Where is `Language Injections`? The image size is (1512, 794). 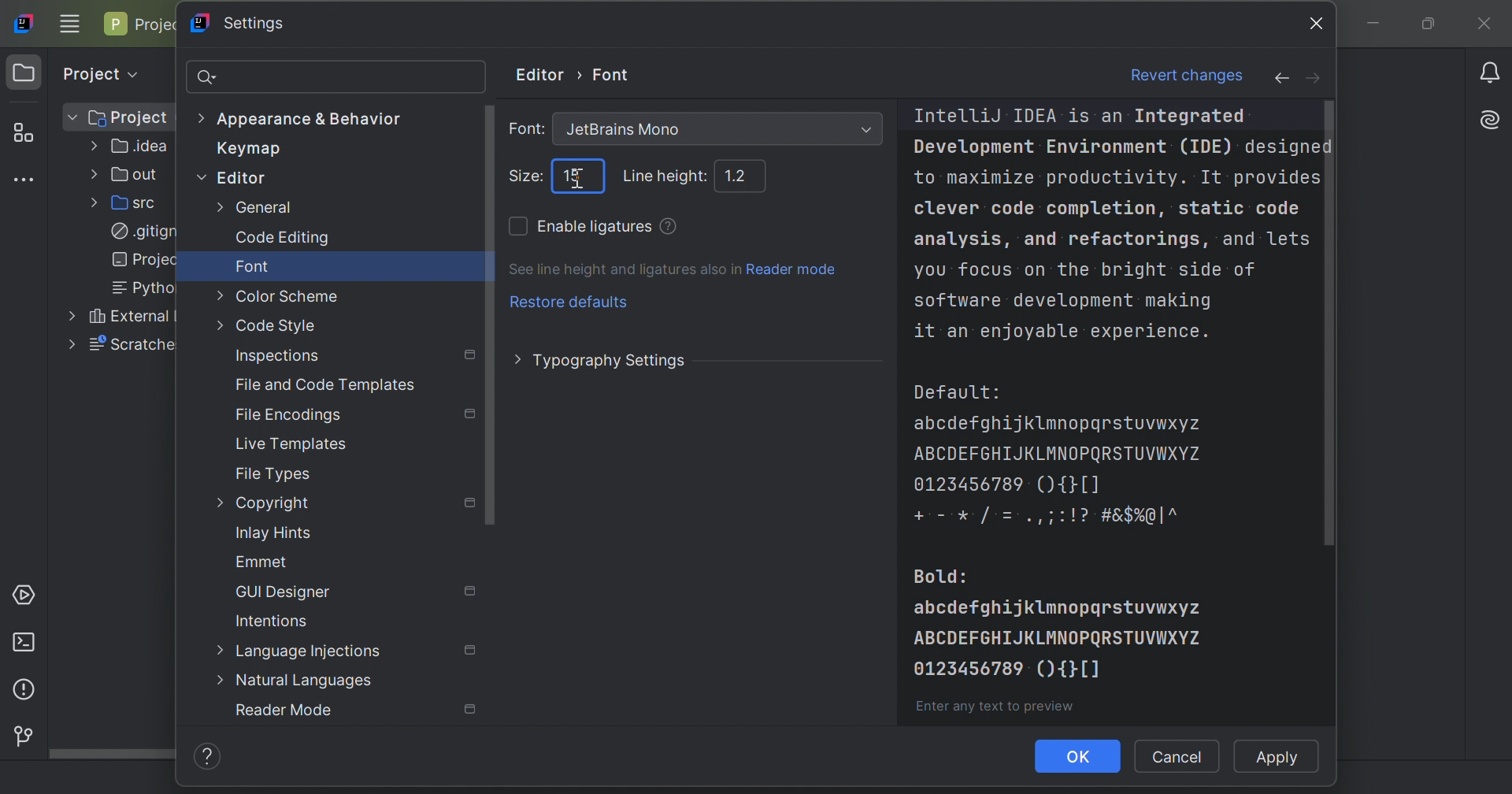
Language Injections is located at coordinates (302, 652).